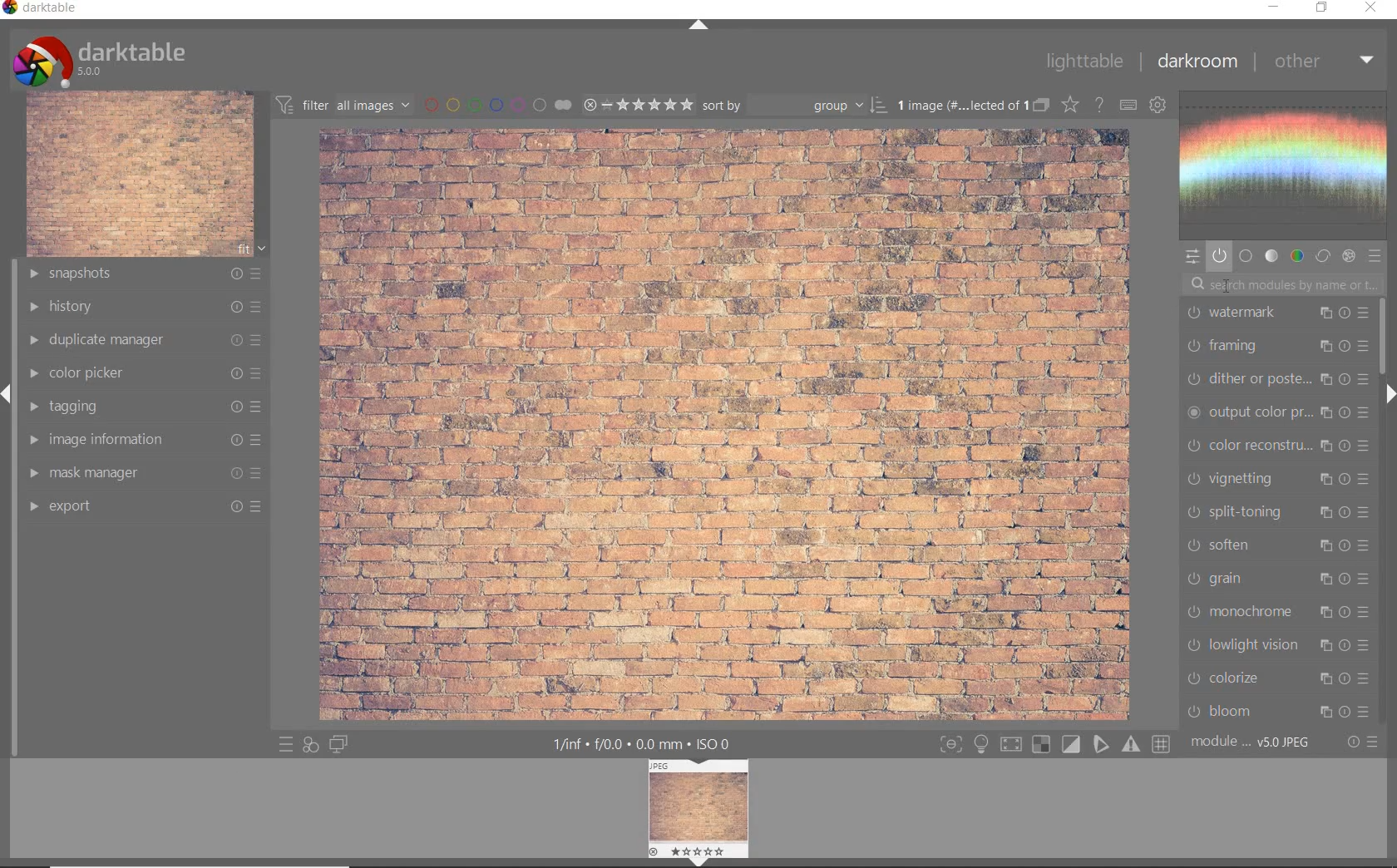 The image size is (1397, 868). Describe the element at coordinates (1157, 106) in the screenshot. I see `show global preference` at that location.